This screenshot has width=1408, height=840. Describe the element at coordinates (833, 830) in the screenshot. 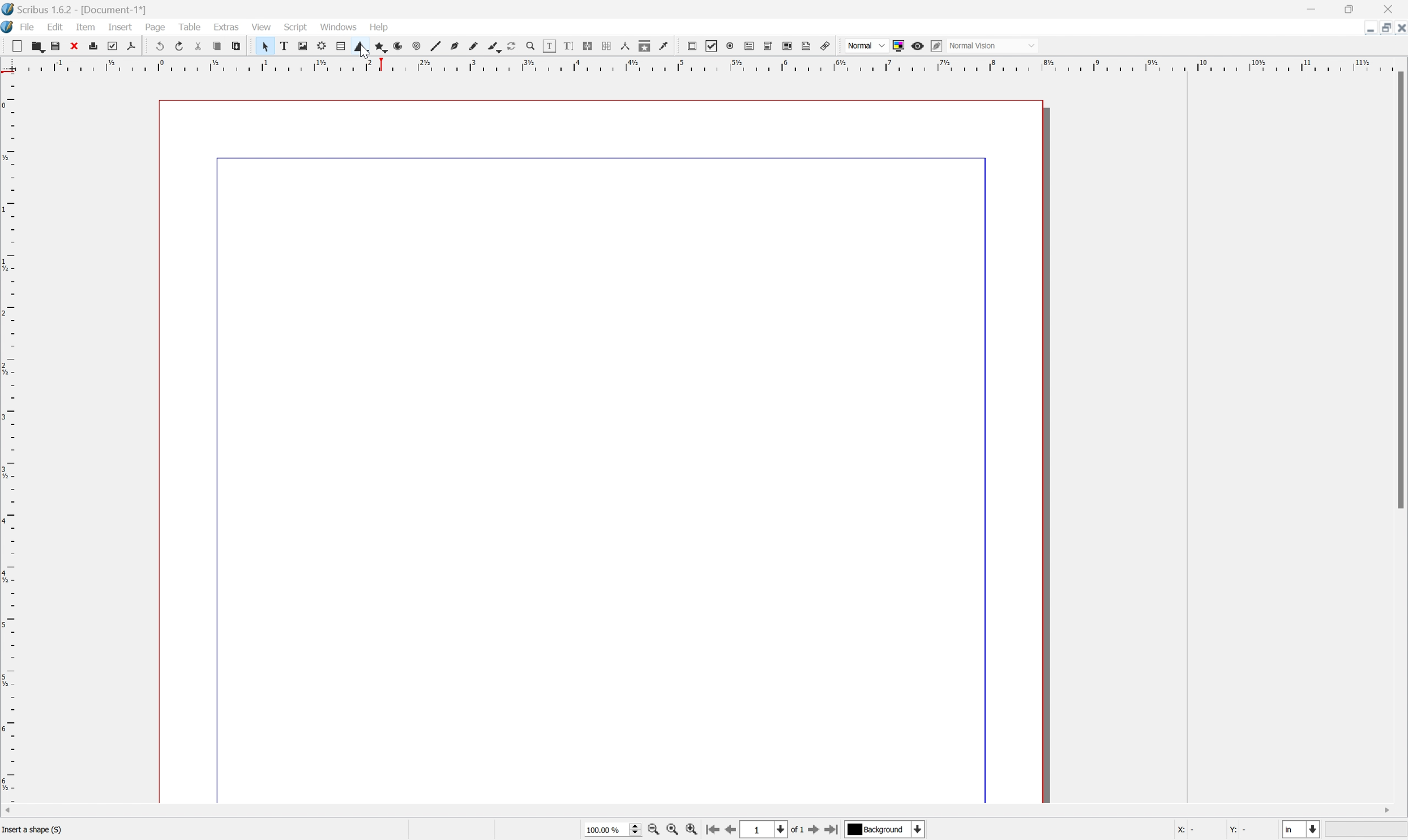

I see `Go to last page` at that location.